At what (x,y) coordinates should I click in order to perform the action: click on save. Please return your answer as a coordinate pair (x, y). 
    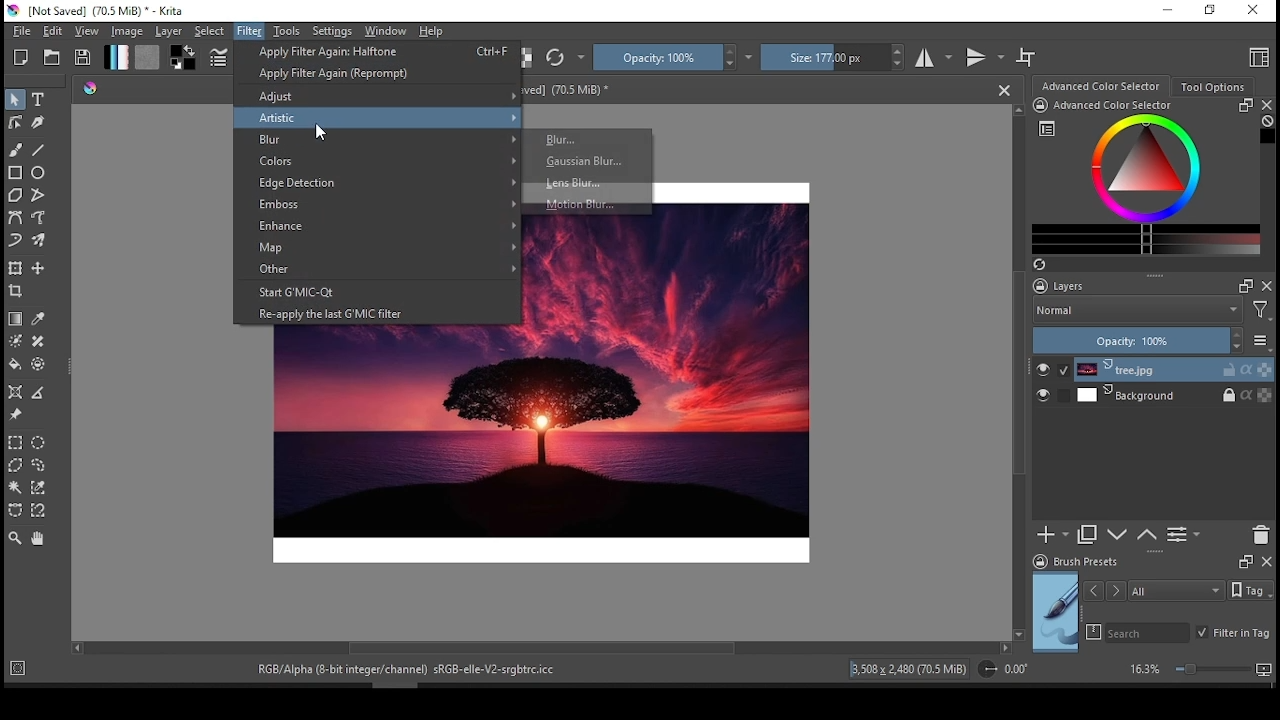
    Looking at the image, I should click on (84, 57).